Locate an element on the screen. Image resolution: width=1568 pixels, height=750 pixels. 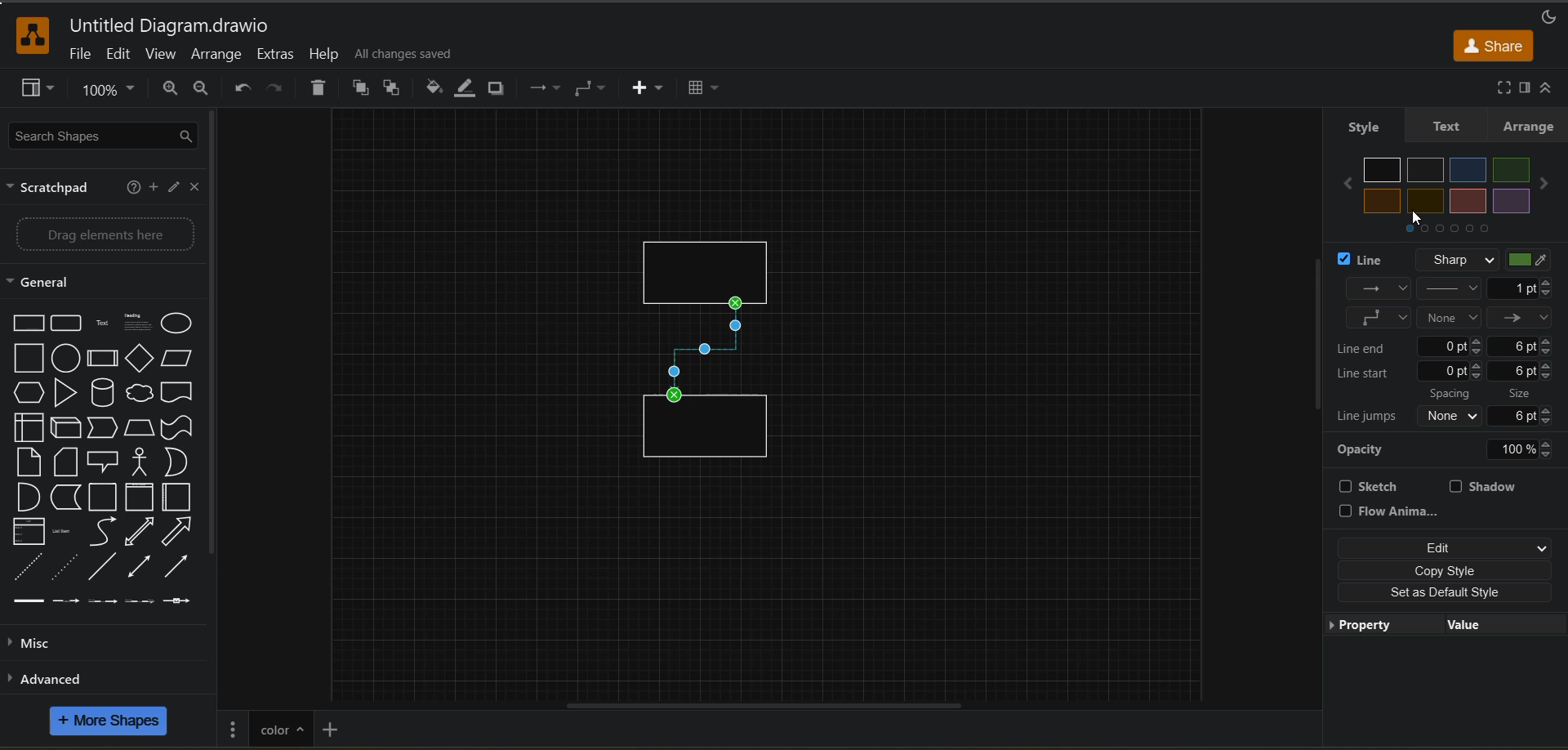
advanced is located at coordinates (70, 678).